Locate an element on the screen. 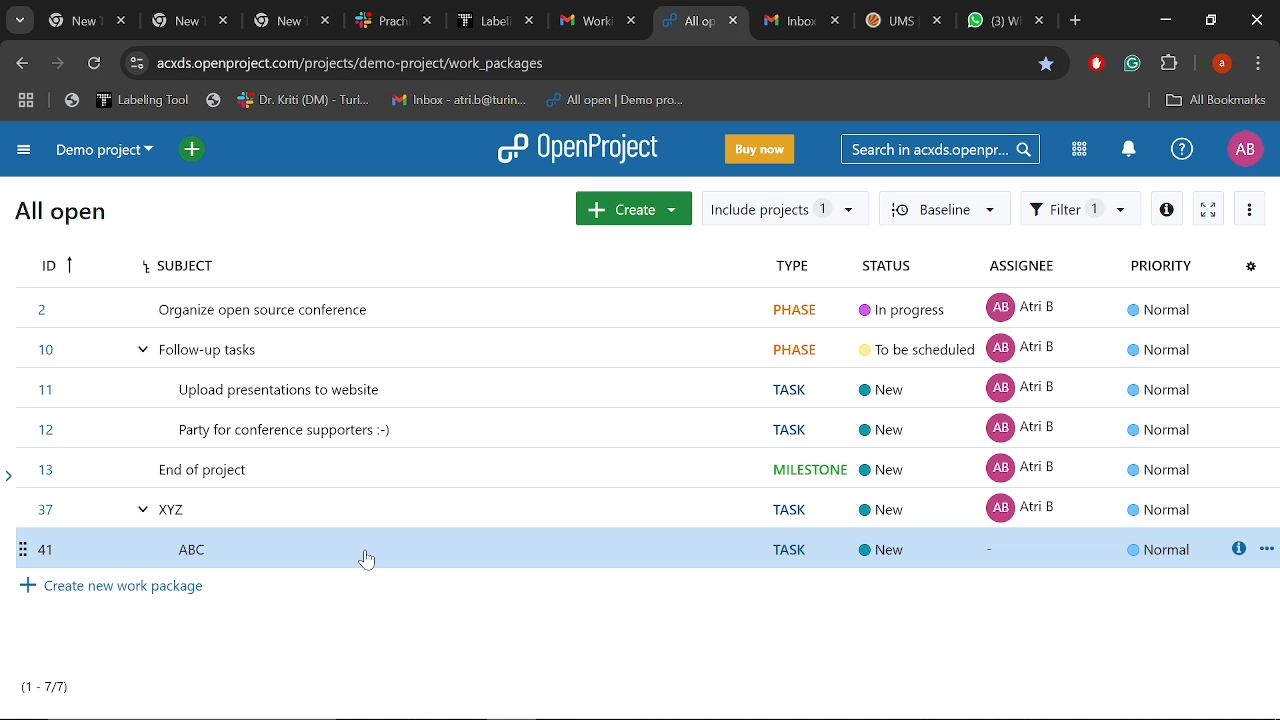 Image resolution: width=1280 pixels, height=720 pixels. Profile is located at coordinates (1243, 149).